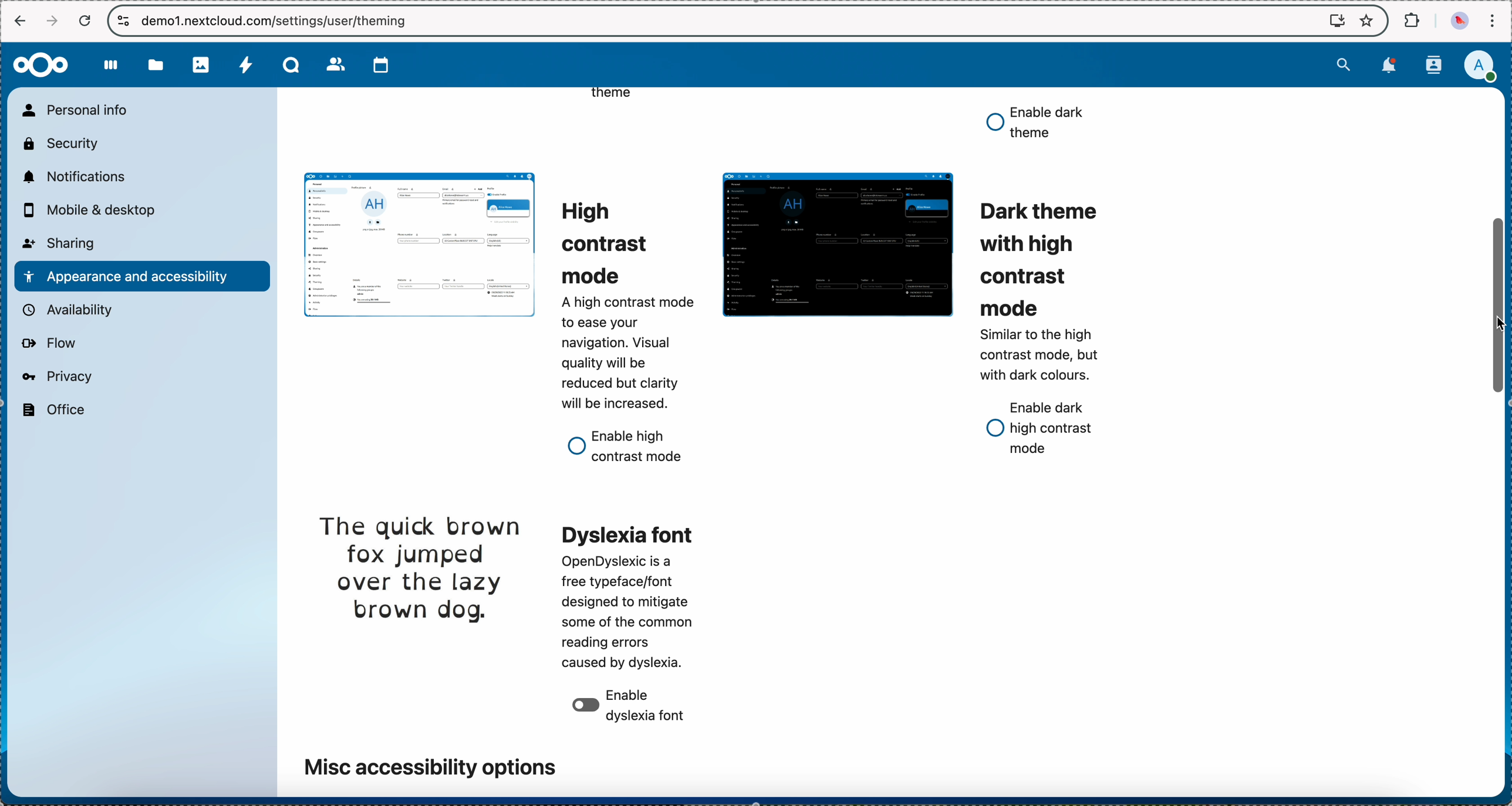 The height and width of the screenshot is (806, 1512). Describe the element at coordinates (613, 241) in the screenshot. I see `high contrast mode` at that location.